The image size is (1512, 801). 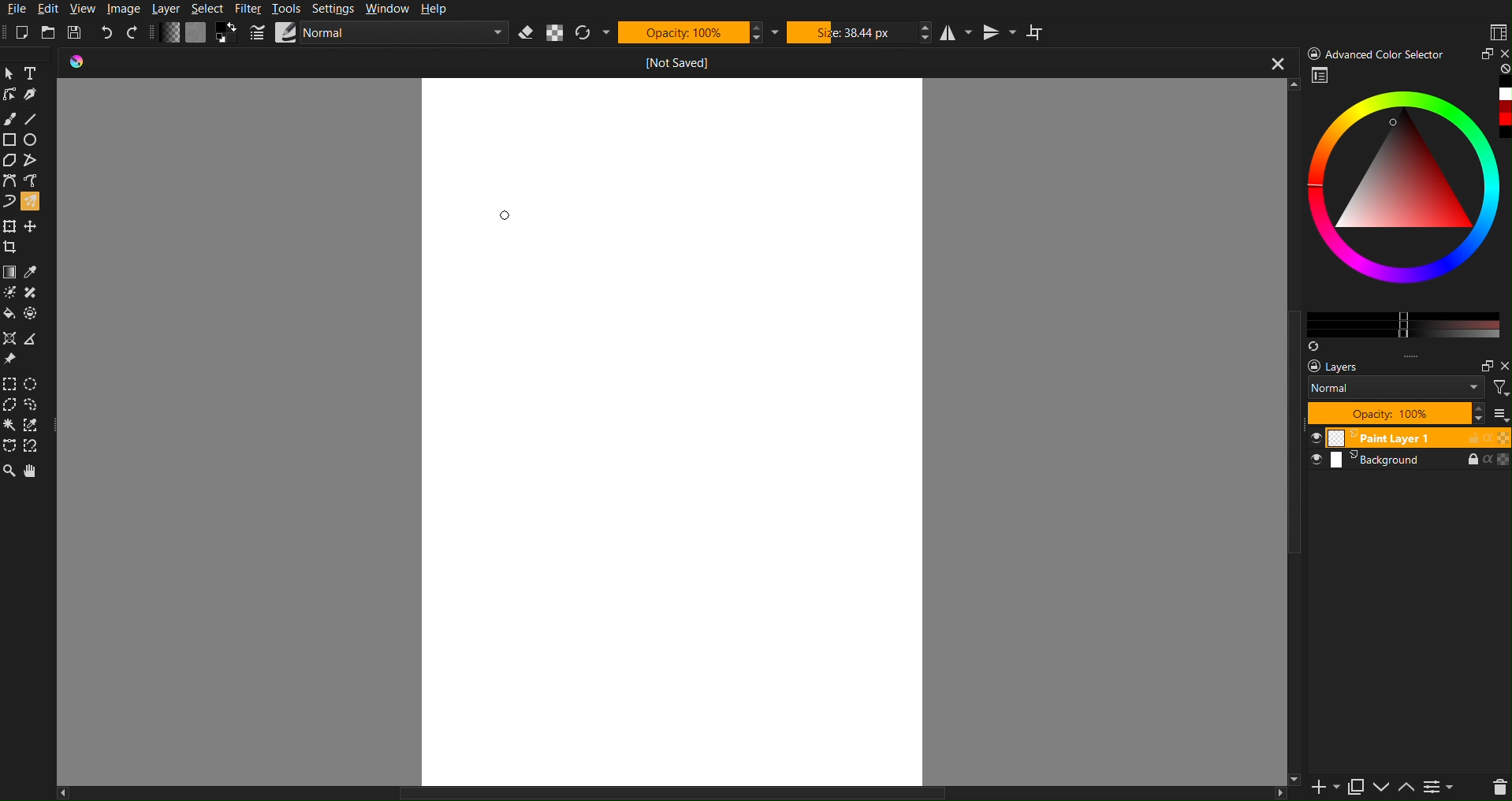 What do you see at coordinates (10, 446) in the screenshot?
I see `Path Selection Tool` at bounding box center [10, 446].